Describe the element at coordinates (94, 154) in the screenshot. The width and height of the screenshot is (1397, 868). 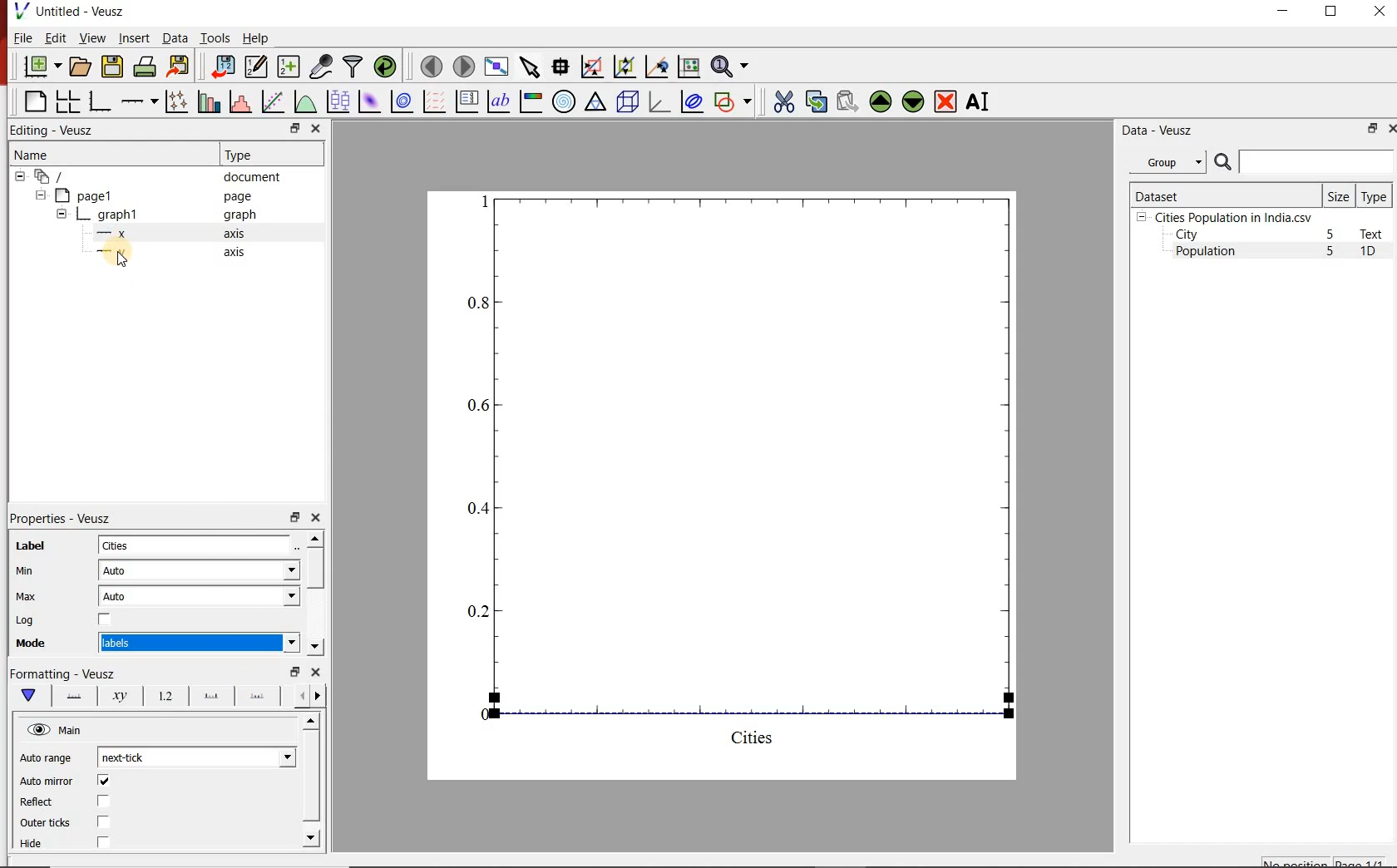
I see `Name` at that location.